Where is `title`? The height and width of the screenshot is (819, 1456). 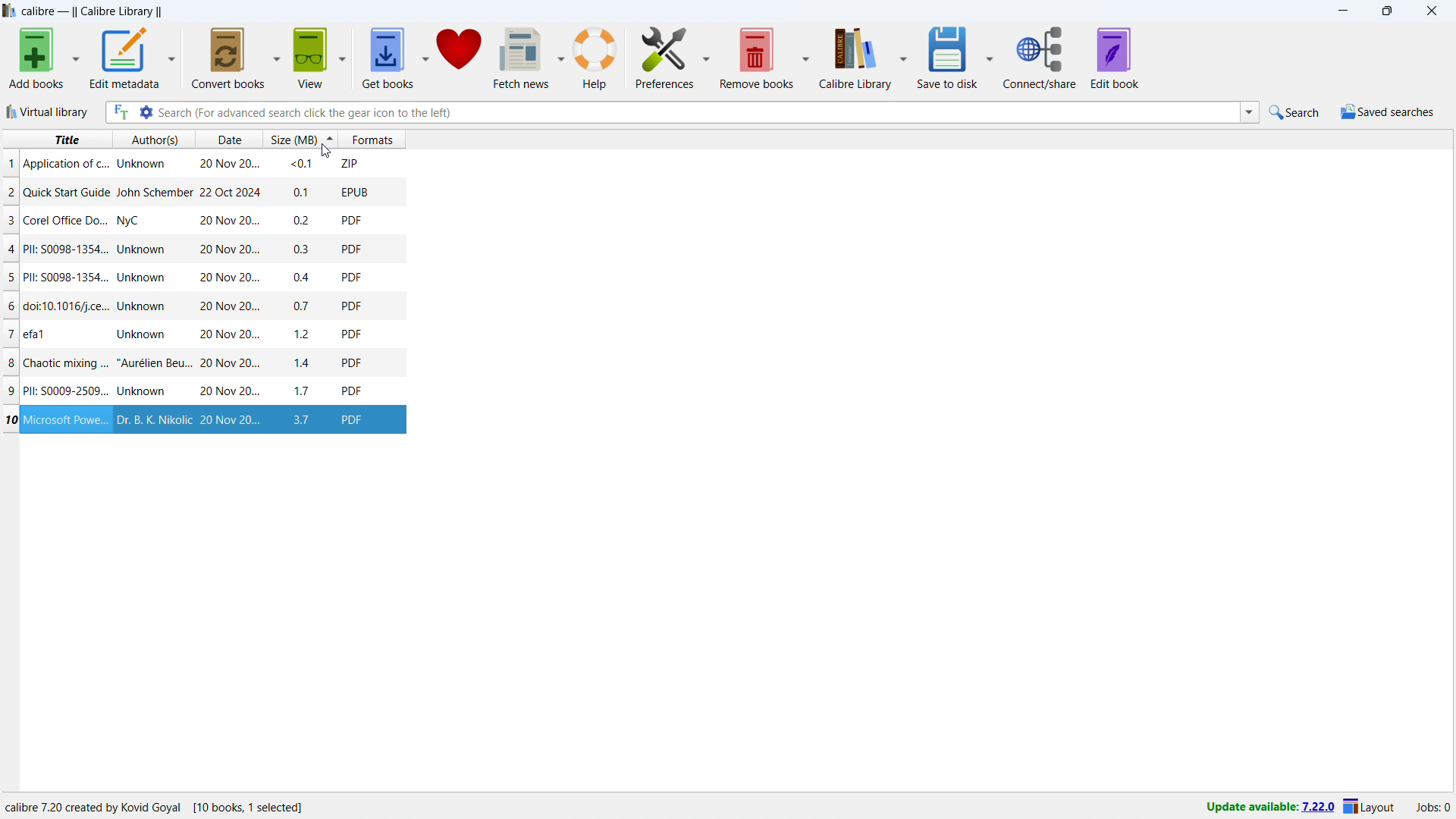
title is located at coordinates (66, 307).